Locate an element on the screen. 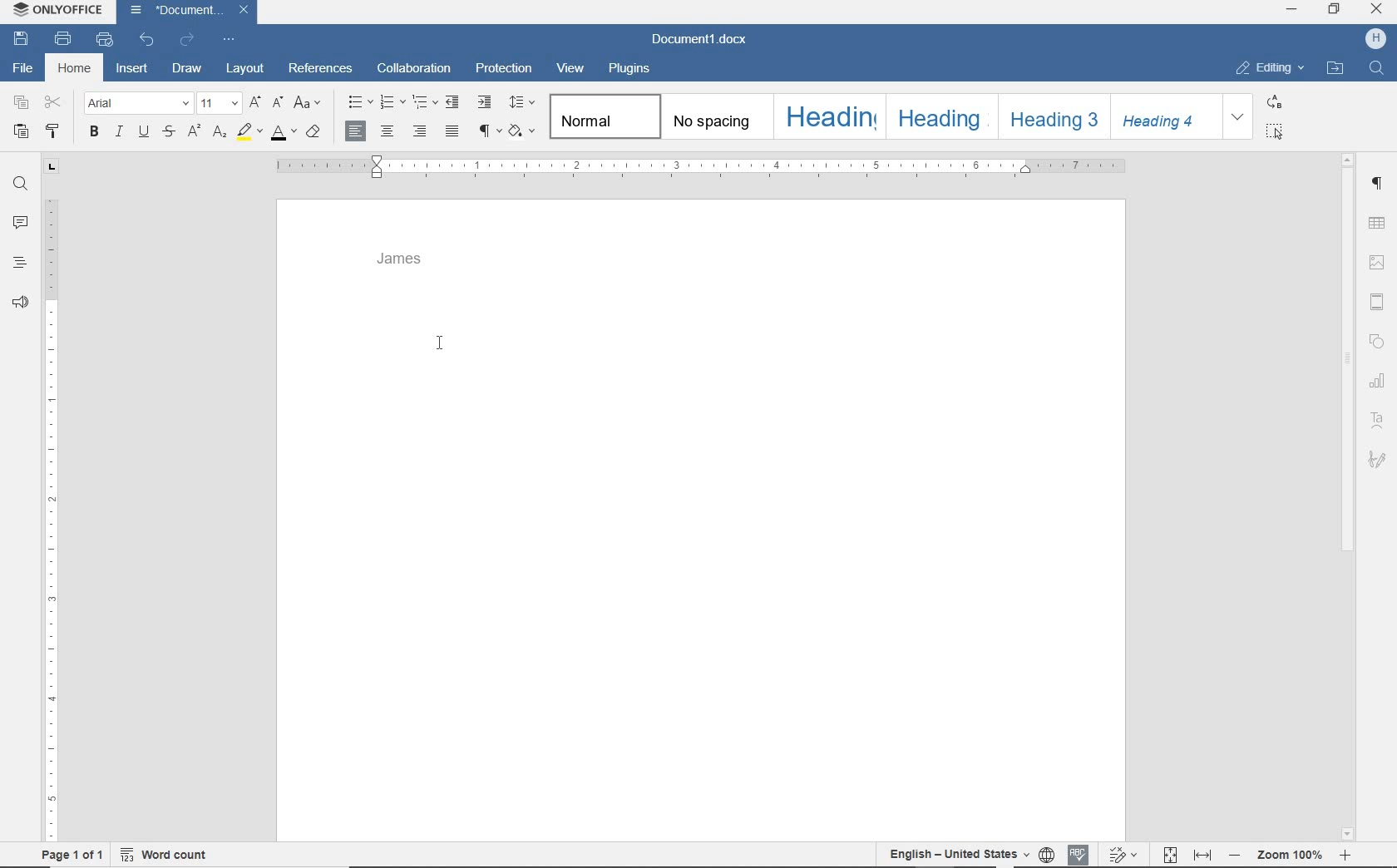 Image resolution: width=1397 pixels, height=868 pixels. home is located at coordinates (74, 69).